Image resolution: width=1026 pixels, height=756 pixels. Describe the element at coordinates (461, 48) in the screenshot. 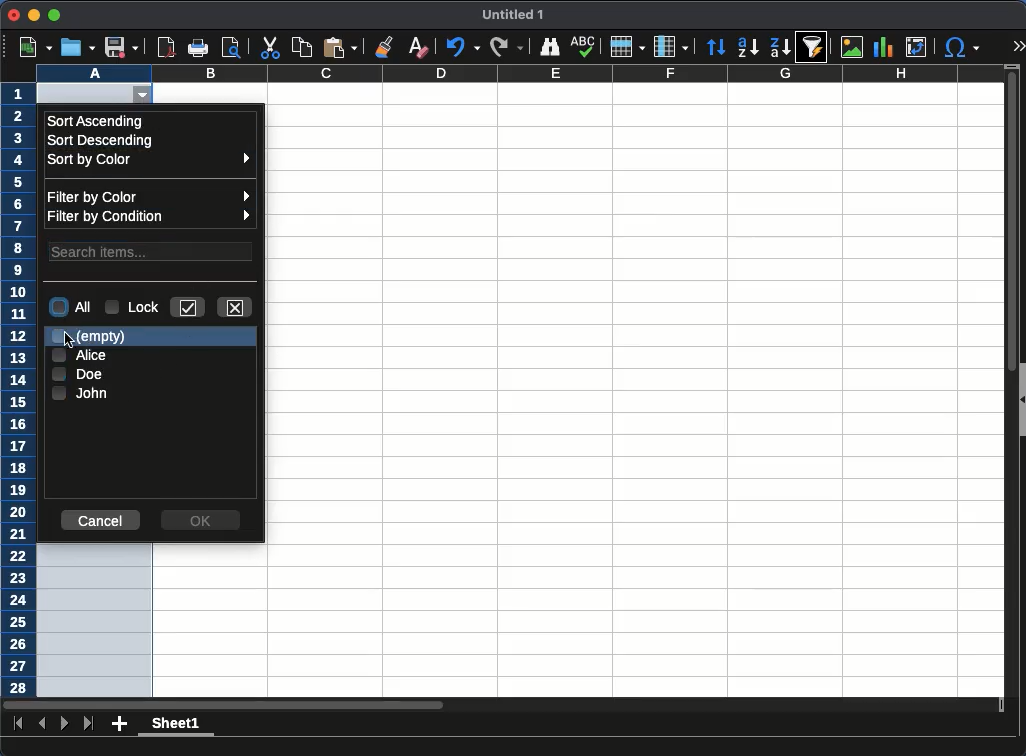

I see `undo` at that location.